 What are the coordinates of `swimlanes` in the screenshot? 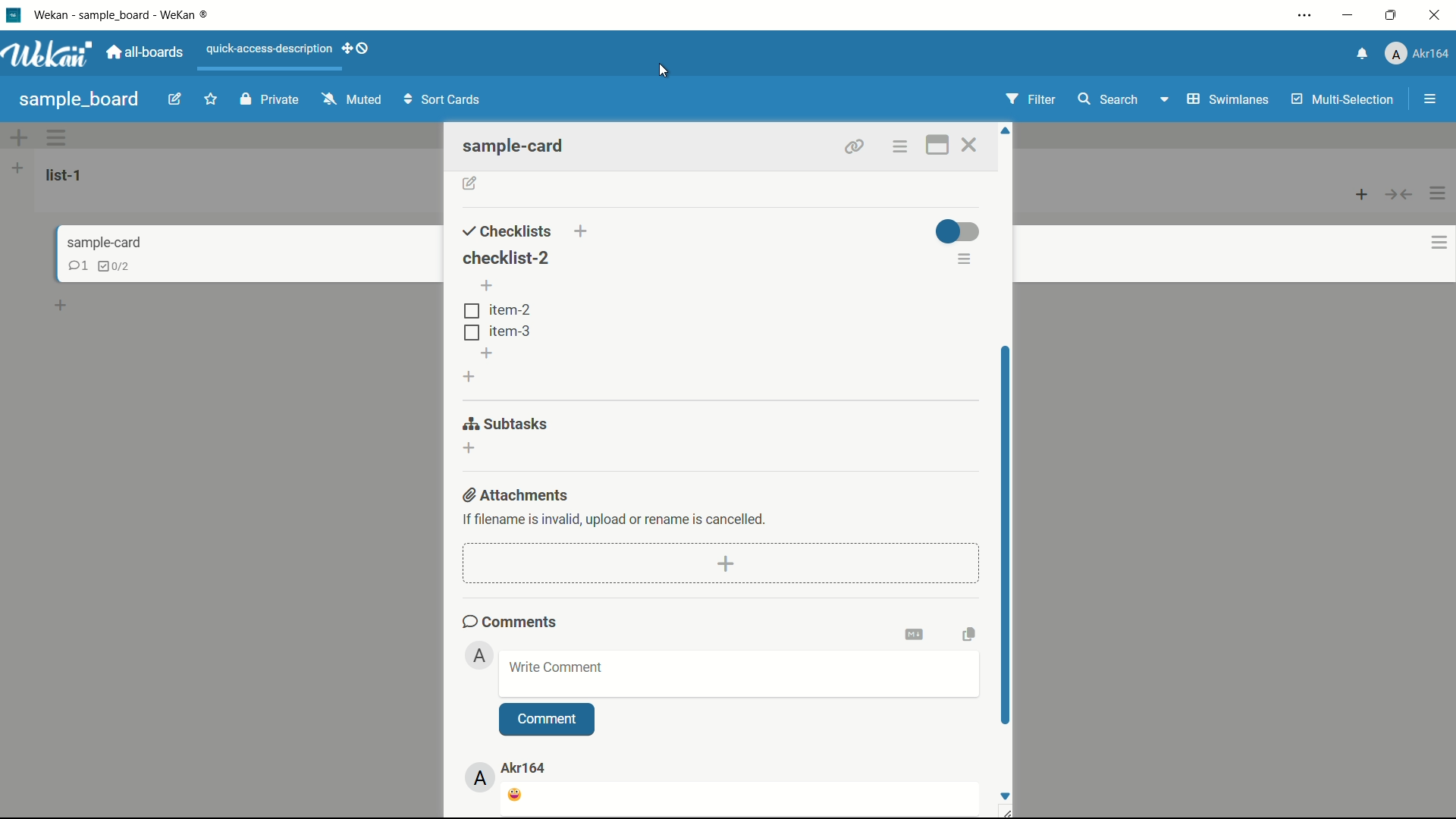 It's located at (1227, 99).